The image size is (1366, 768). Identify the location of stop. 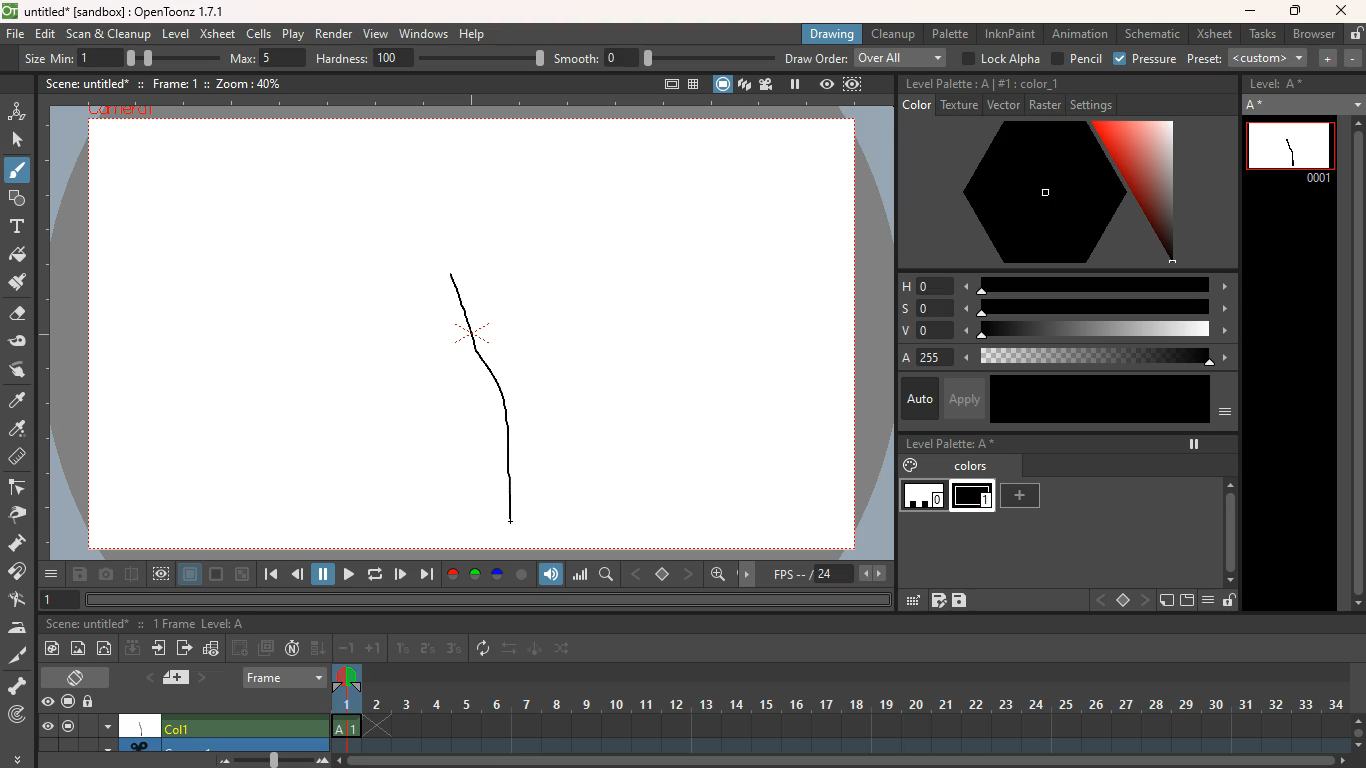
(664, 575).